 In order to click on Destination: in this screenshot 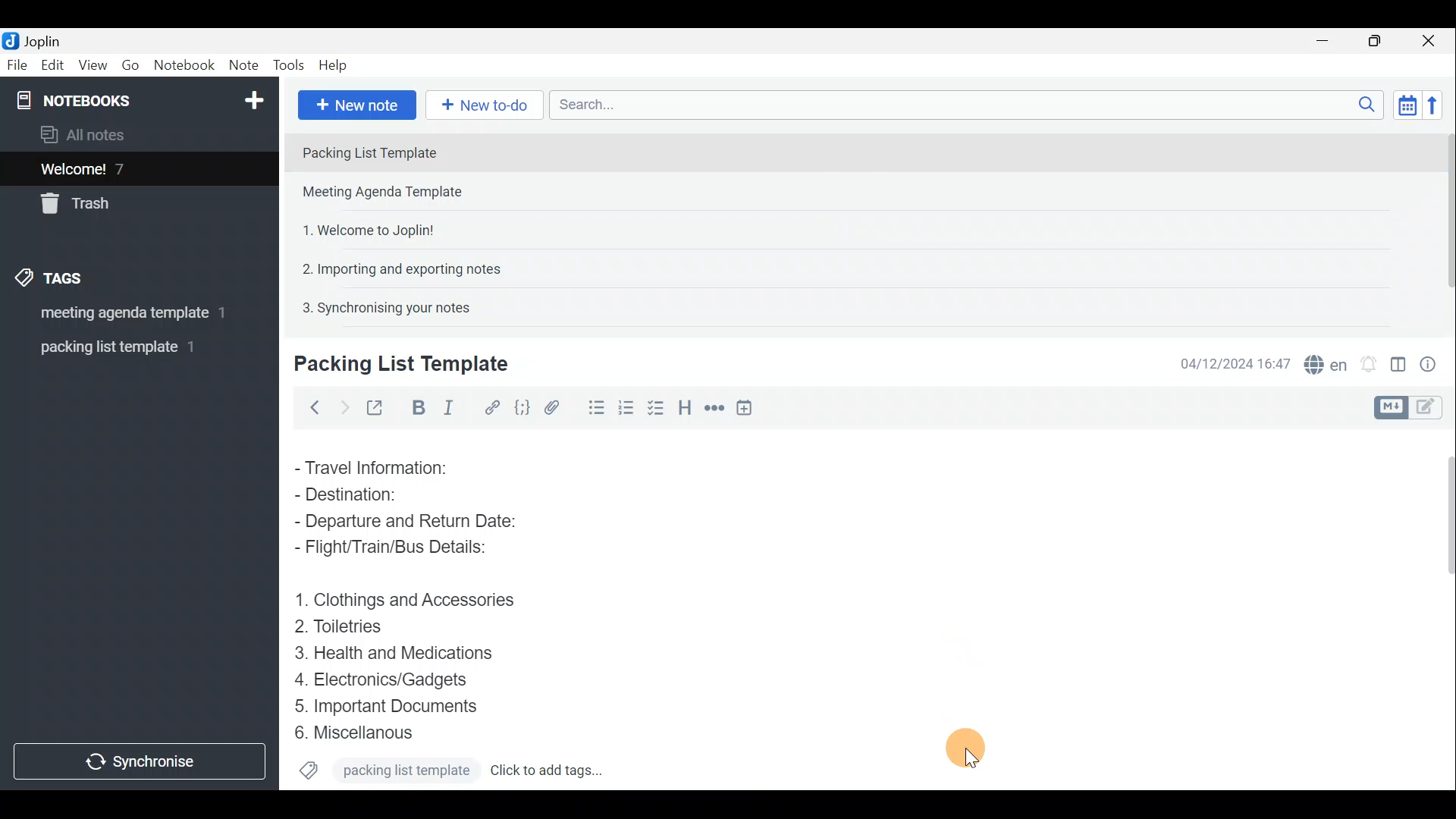, I will do `click(378, 494)`.